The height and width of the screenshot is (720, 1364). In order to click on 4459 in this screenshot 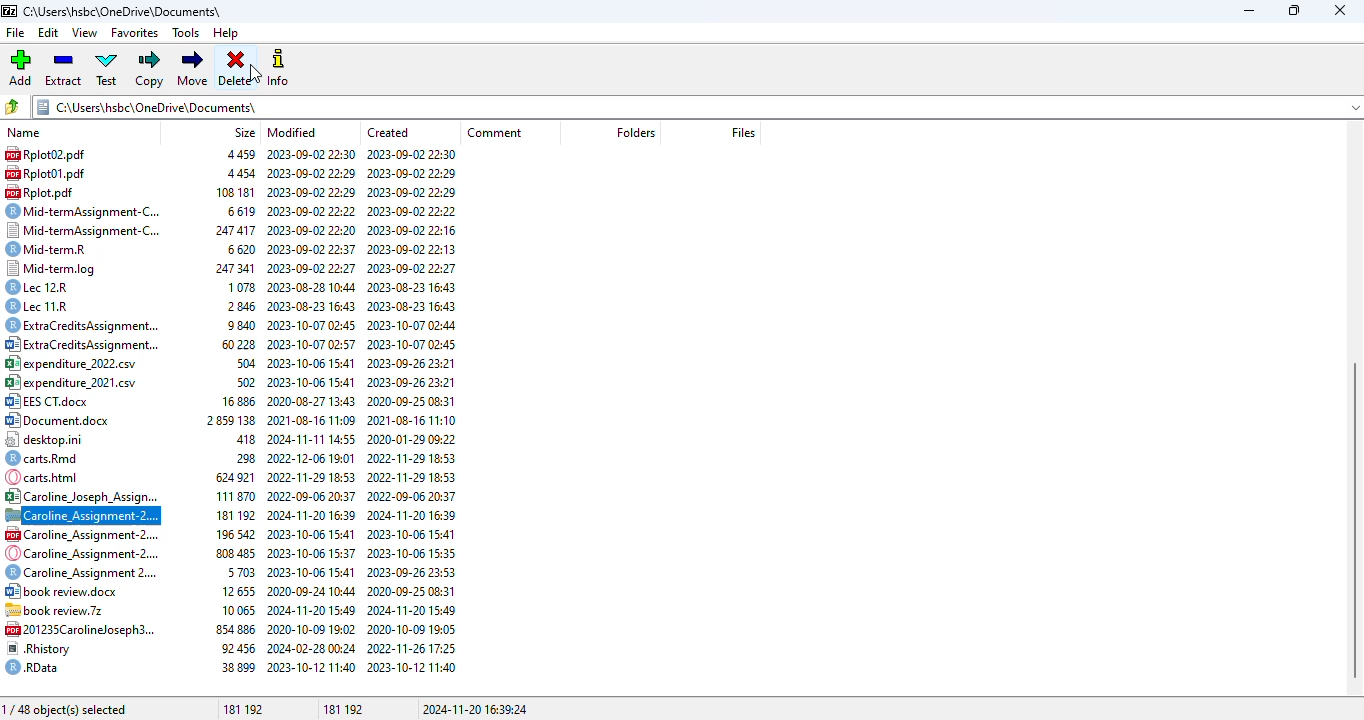, I will do `click(231, 154)`.